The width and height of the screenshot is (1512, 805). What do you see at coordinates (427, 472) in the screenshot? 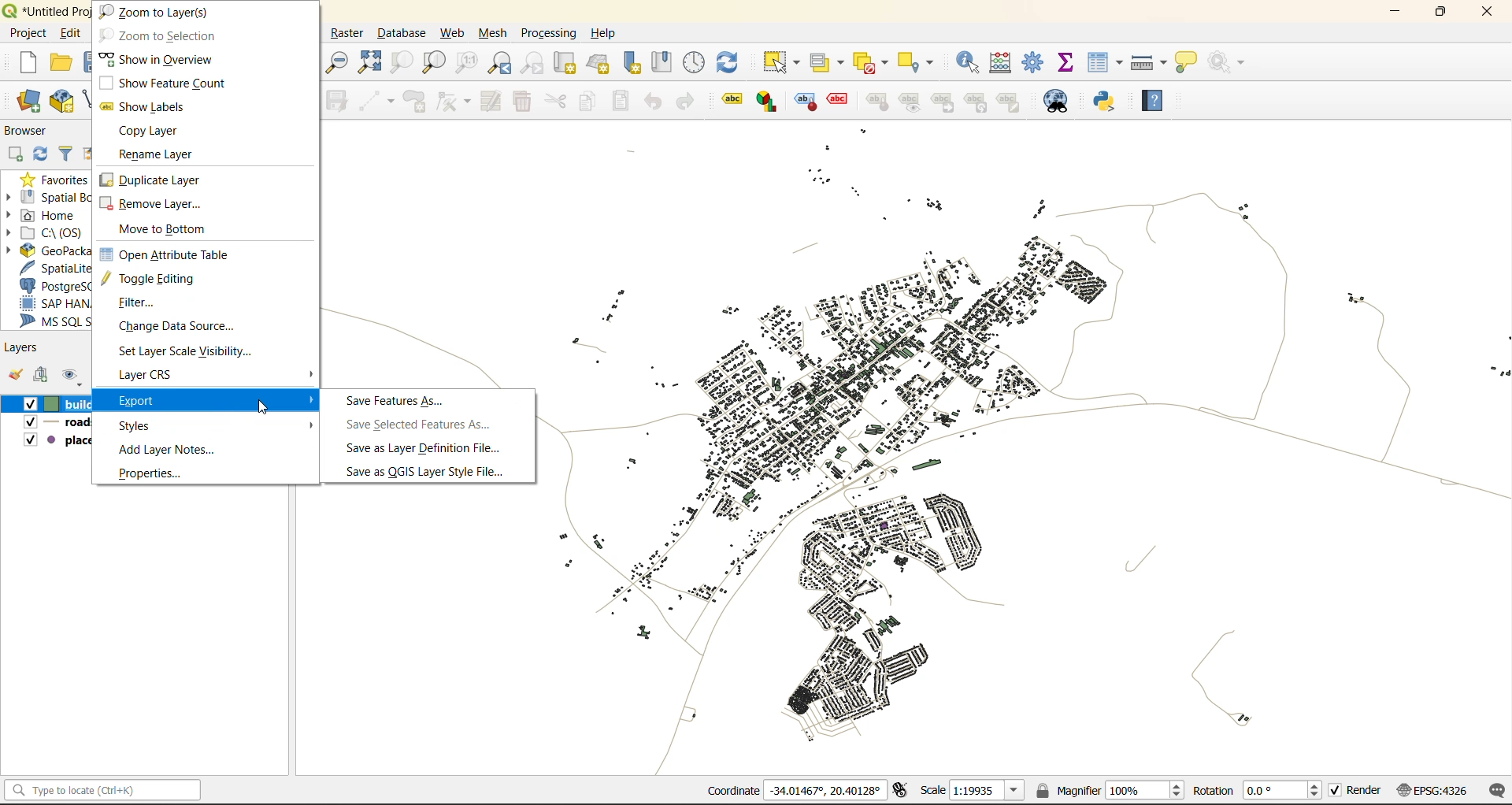
I see `save as QGIS layer style file` at bounding box center [427, 472].